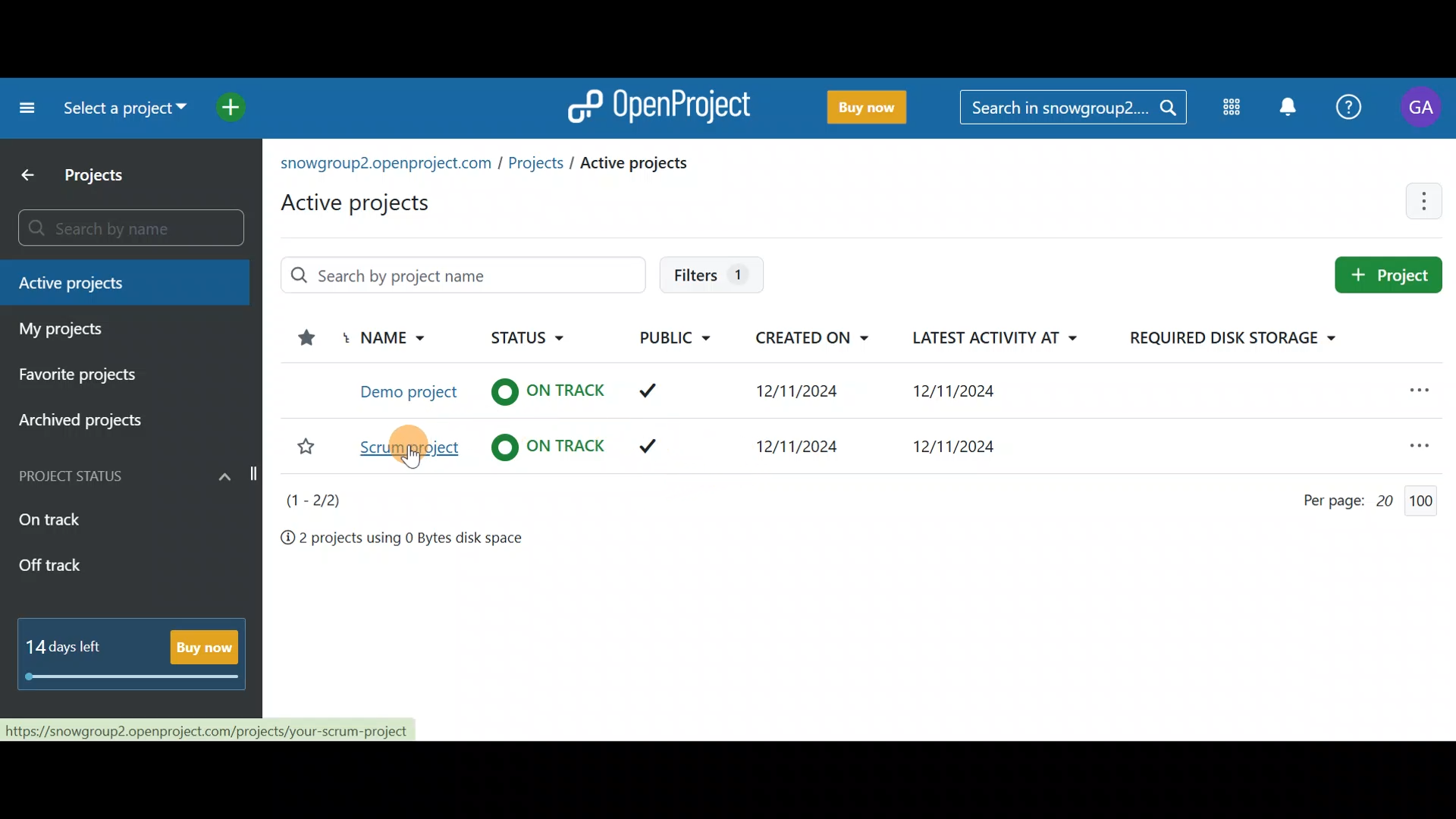  Describe the element at coordinates (122, 227) in the screenshot. I see `Search bar` at that location.